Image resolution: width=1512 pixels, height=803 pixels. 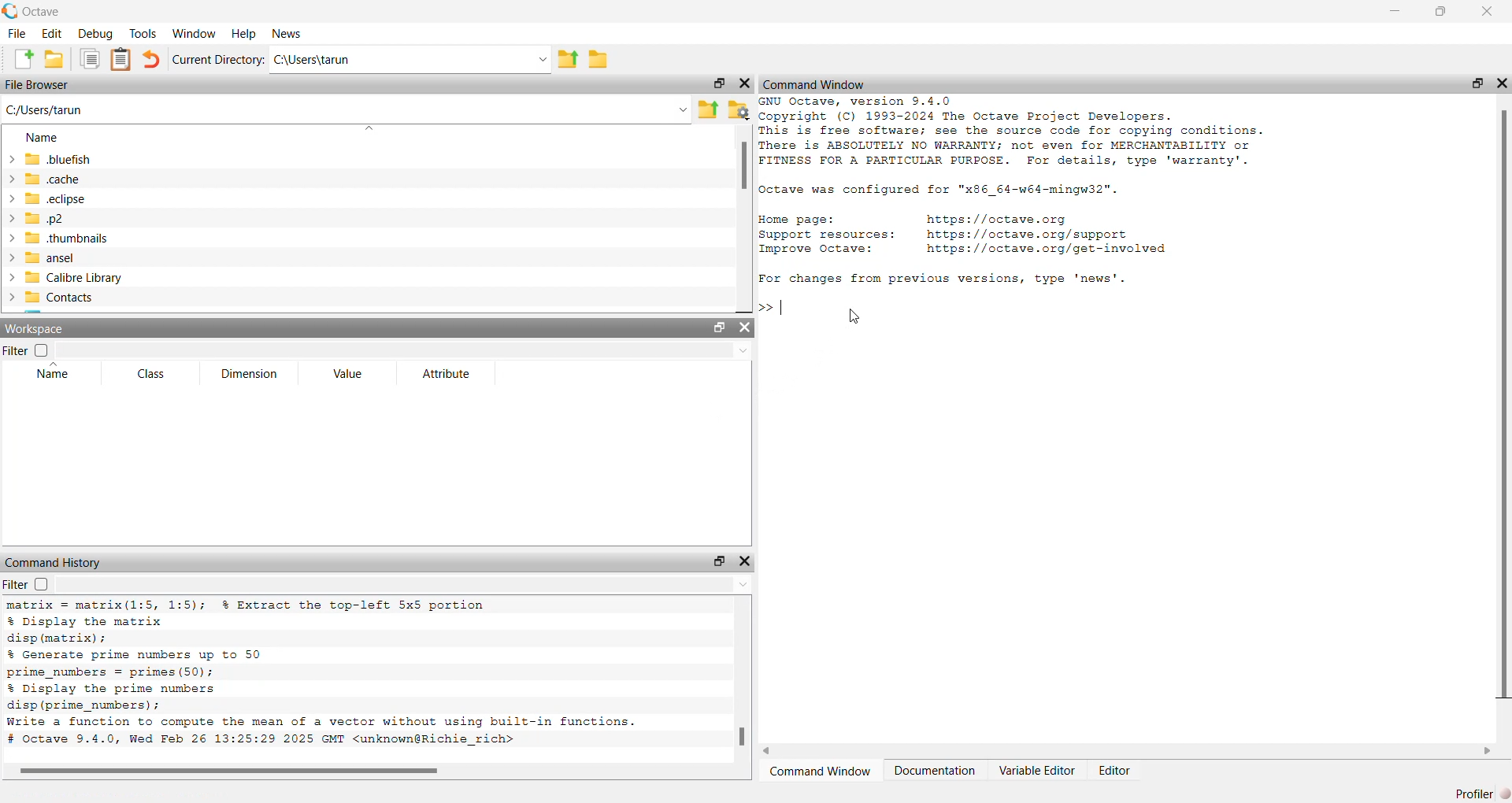 What do you see at coordinates (315, 60) in the screenshot?
I see `C:\Users\tarun` at bounding box center [315, 60].